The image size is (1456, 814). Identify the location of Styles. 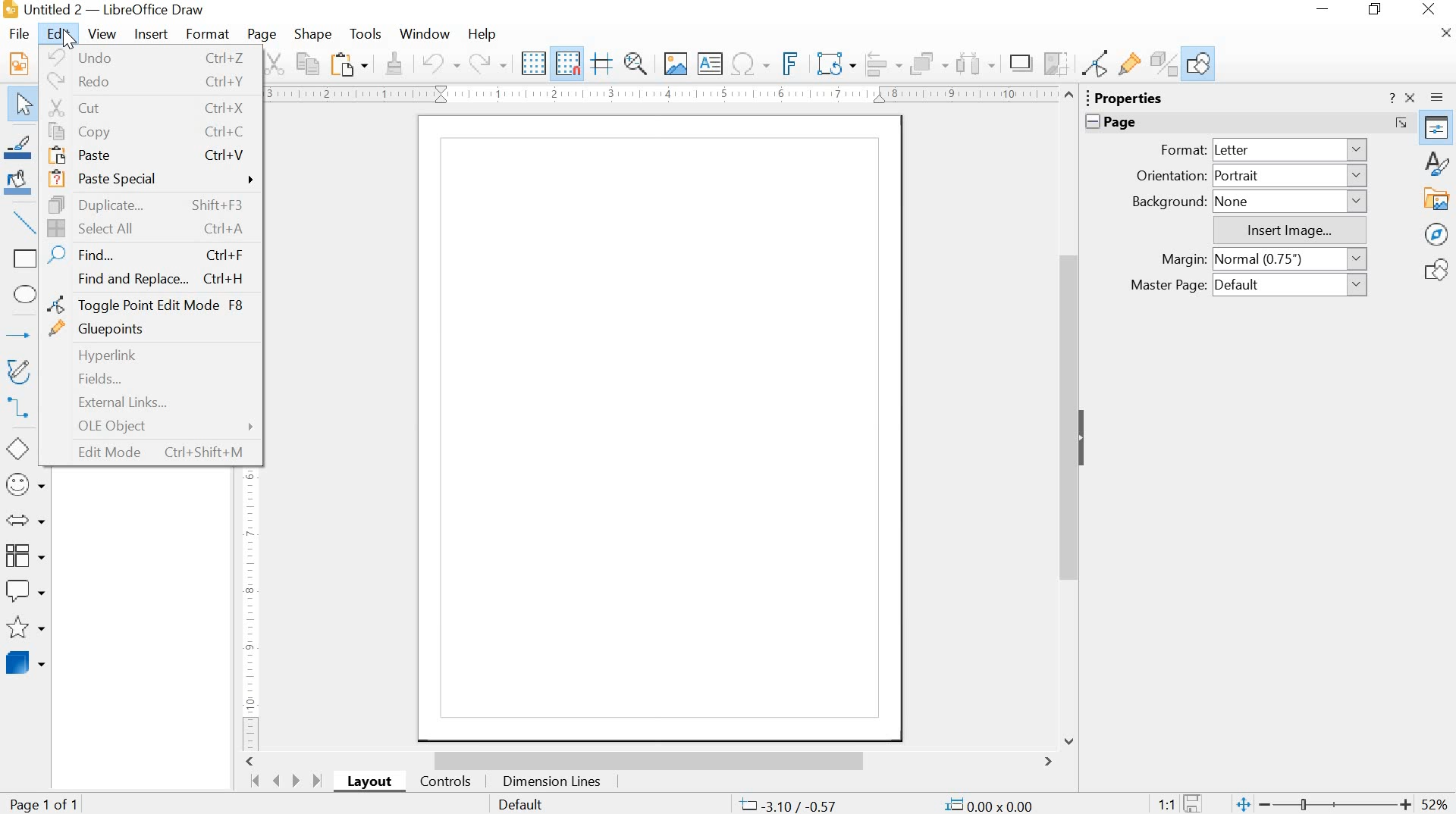
(1437, 162).